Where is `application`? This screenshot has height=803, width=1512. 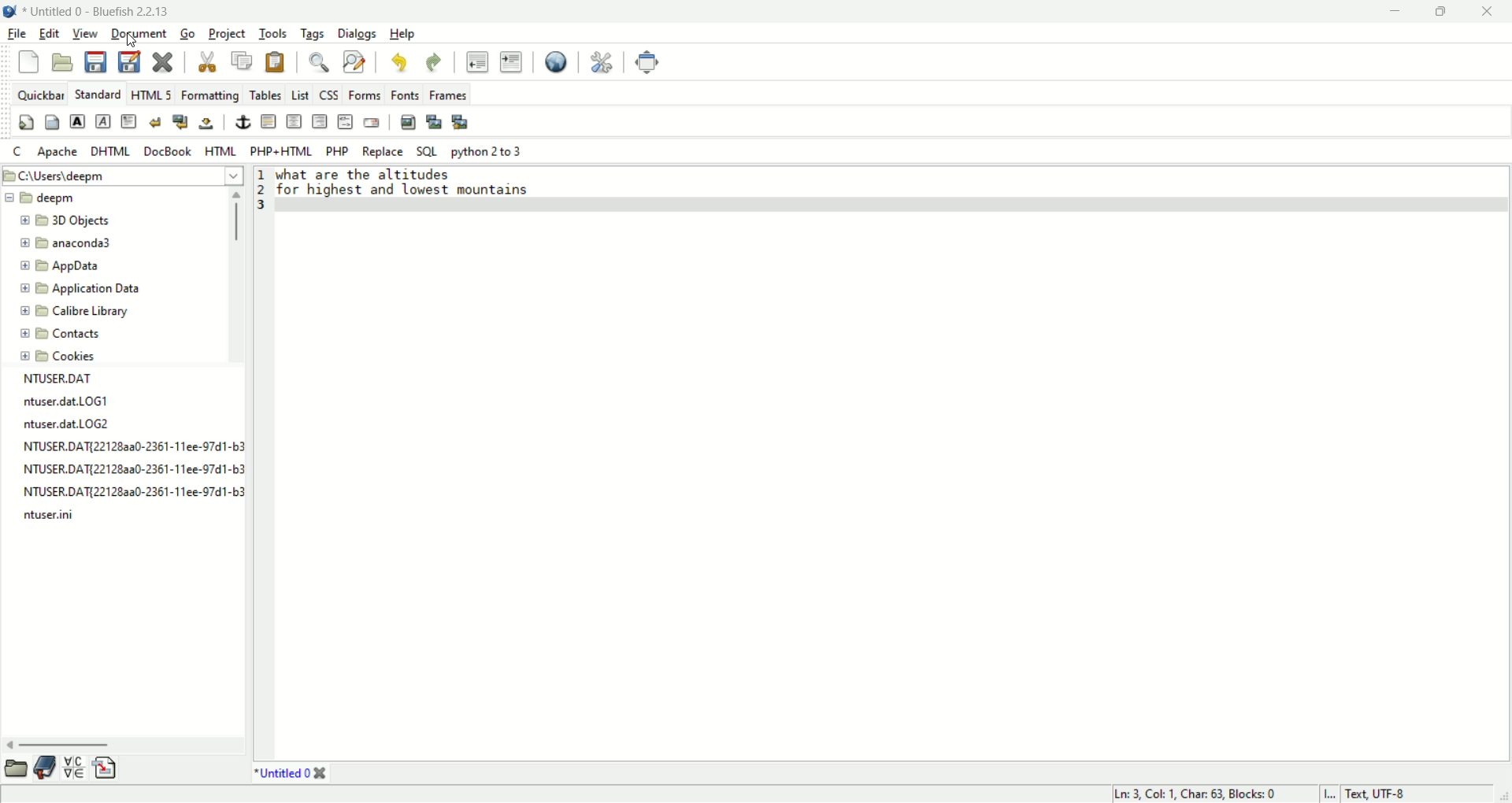
application is located at coordinates (80, 287).